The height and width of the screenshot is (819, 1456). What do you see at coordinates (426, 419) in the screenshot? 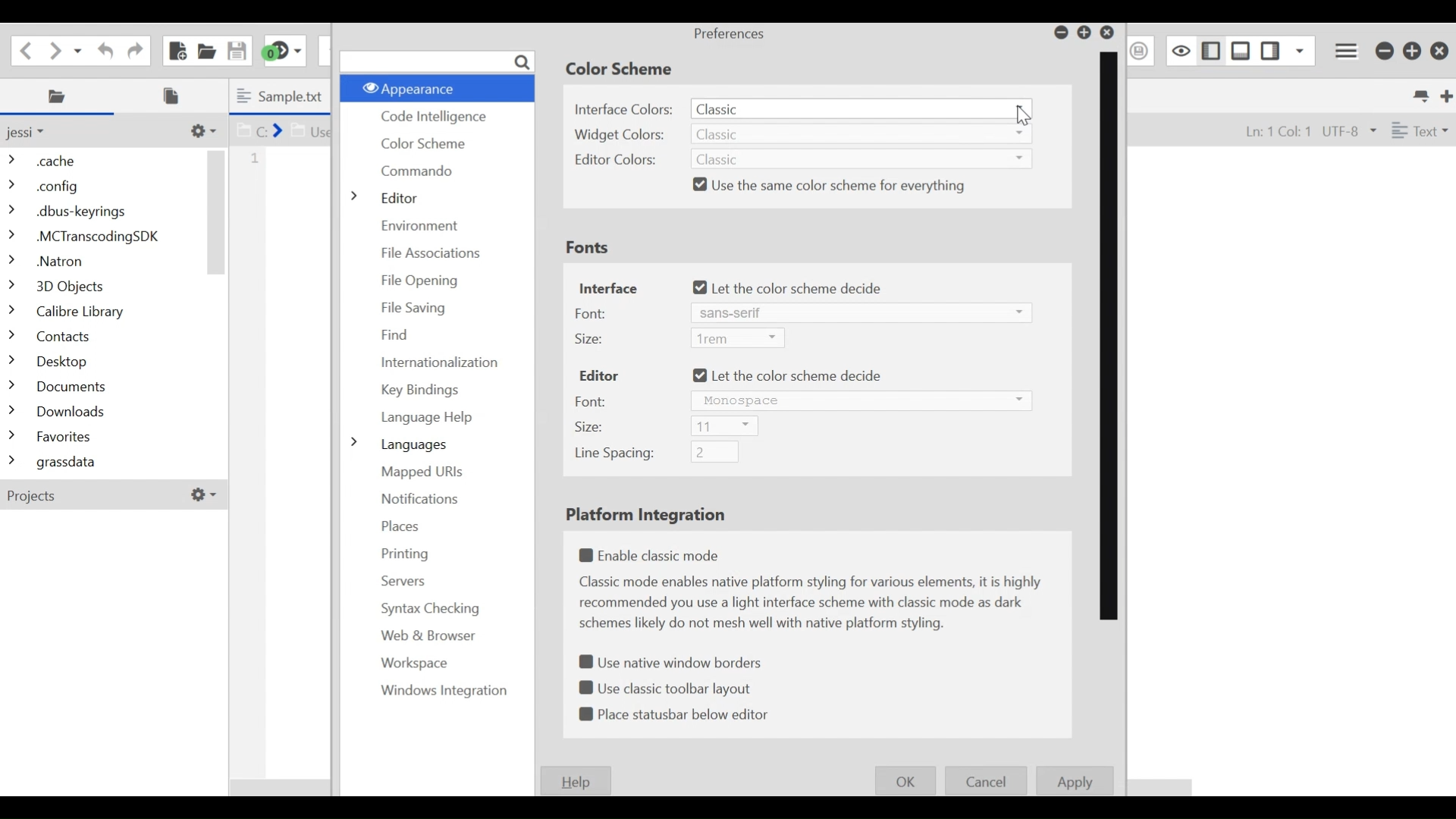
I see `Language Help` at bounding box center [426, 419].